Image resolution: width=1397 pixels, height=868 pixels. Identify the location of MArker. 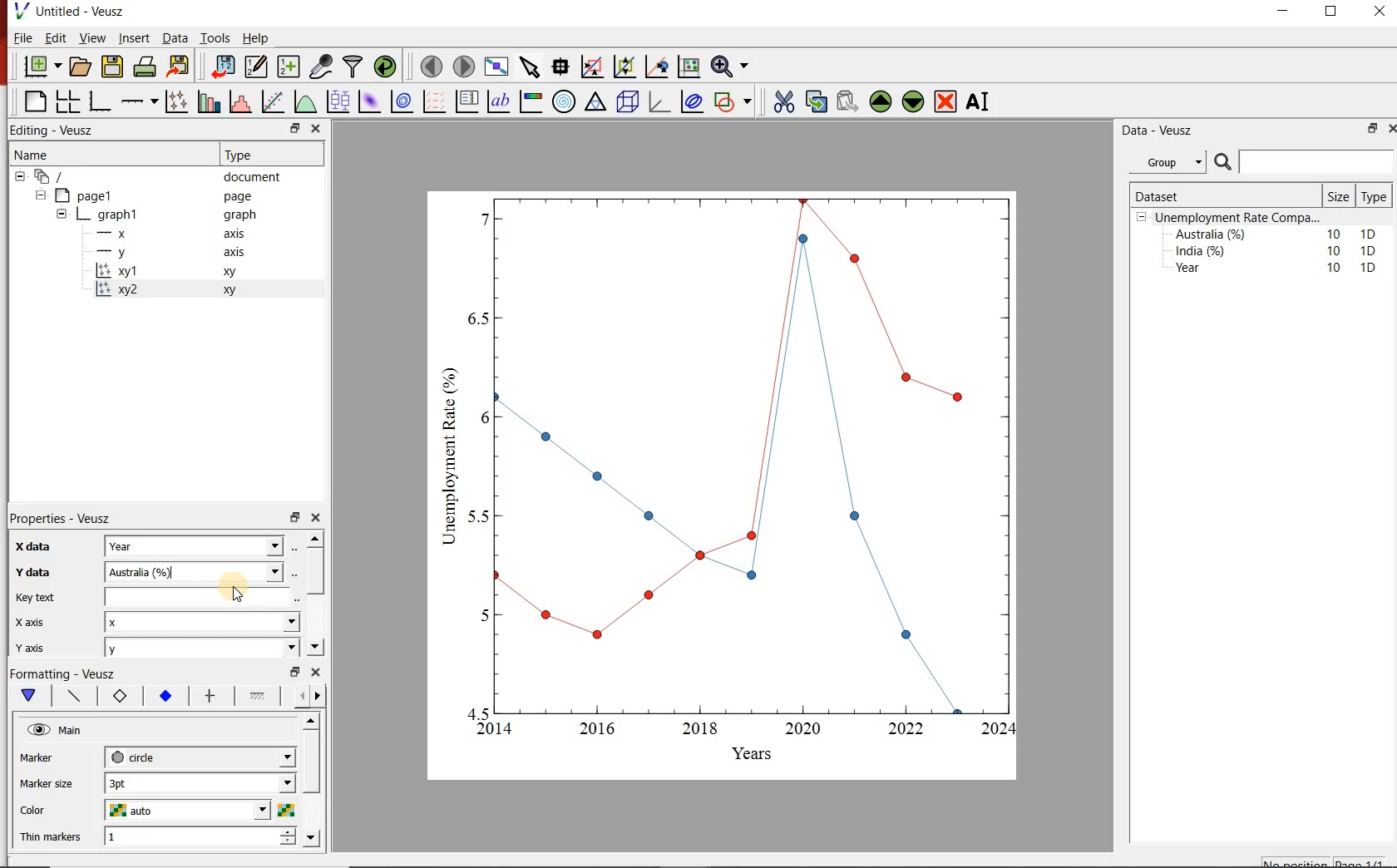
(48, 760).